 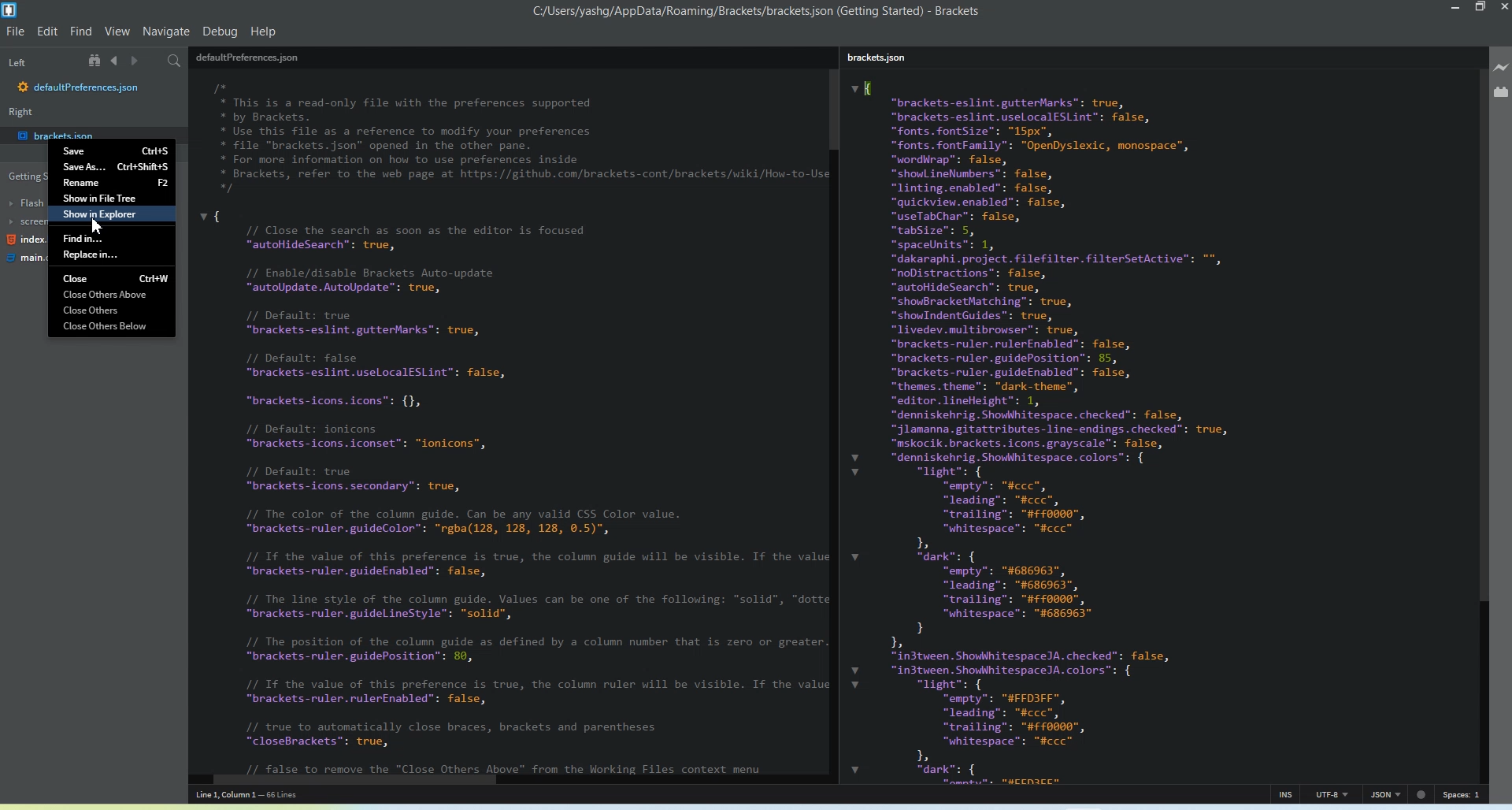 What do you see at coordinates (112, 255) in the screenshot?
I see `Replace in` at bounding box center [112, 255].